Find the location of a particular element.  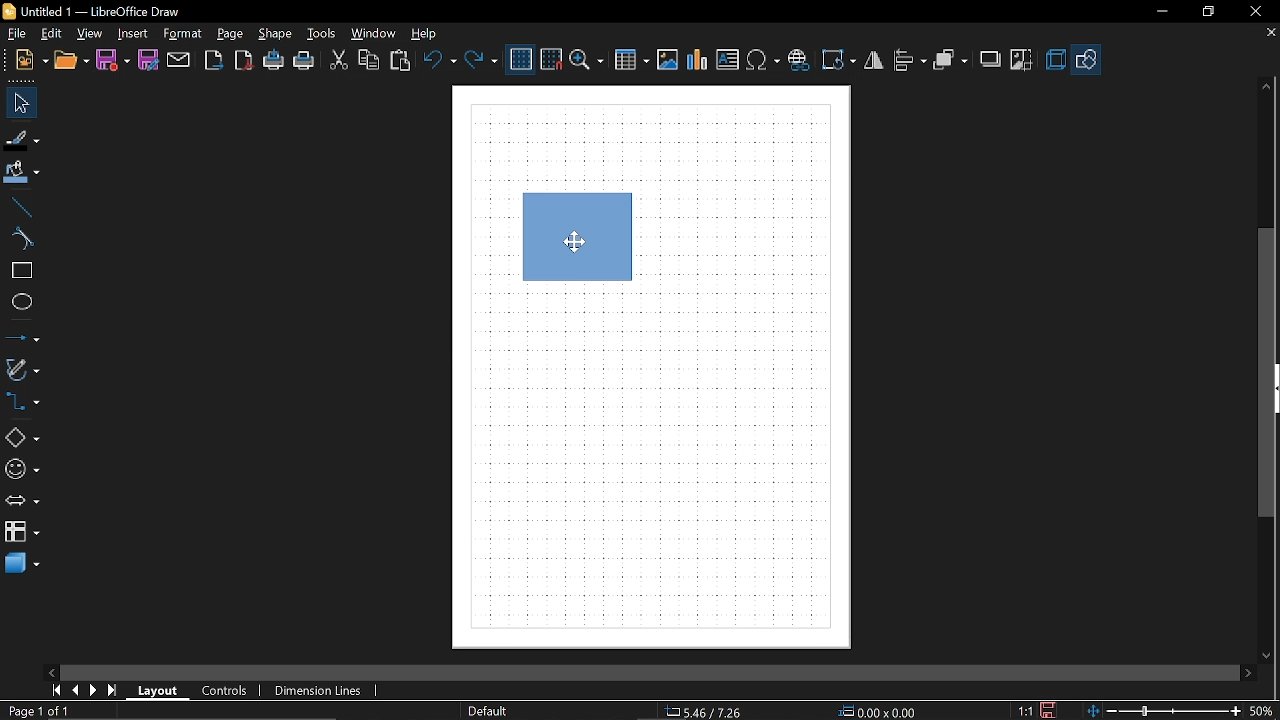

Insert chart is located at coordinates (728, 59).